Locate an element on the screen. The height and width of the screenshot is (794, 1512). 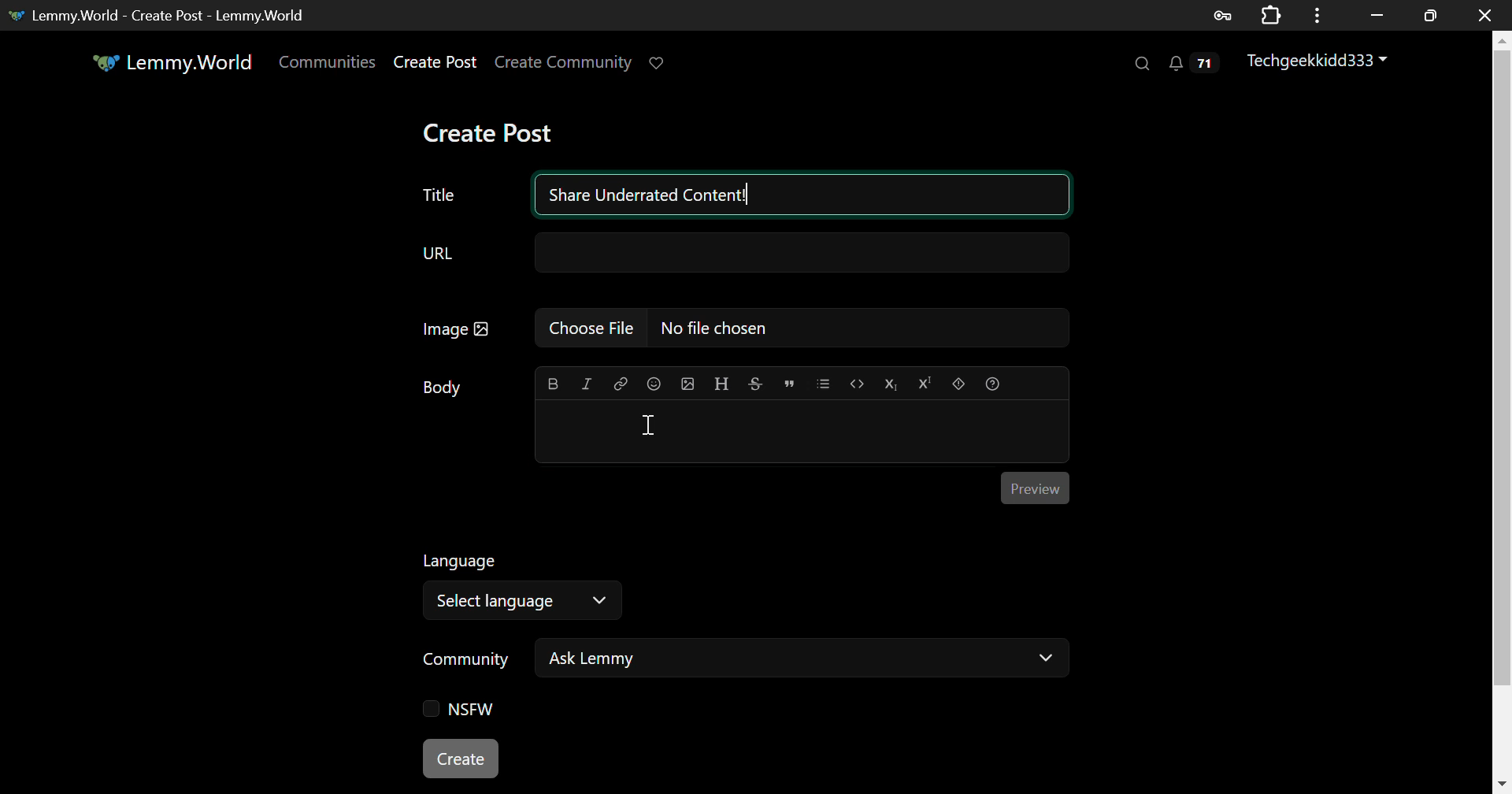
Formatting Help is located at coordinates (991, 384).